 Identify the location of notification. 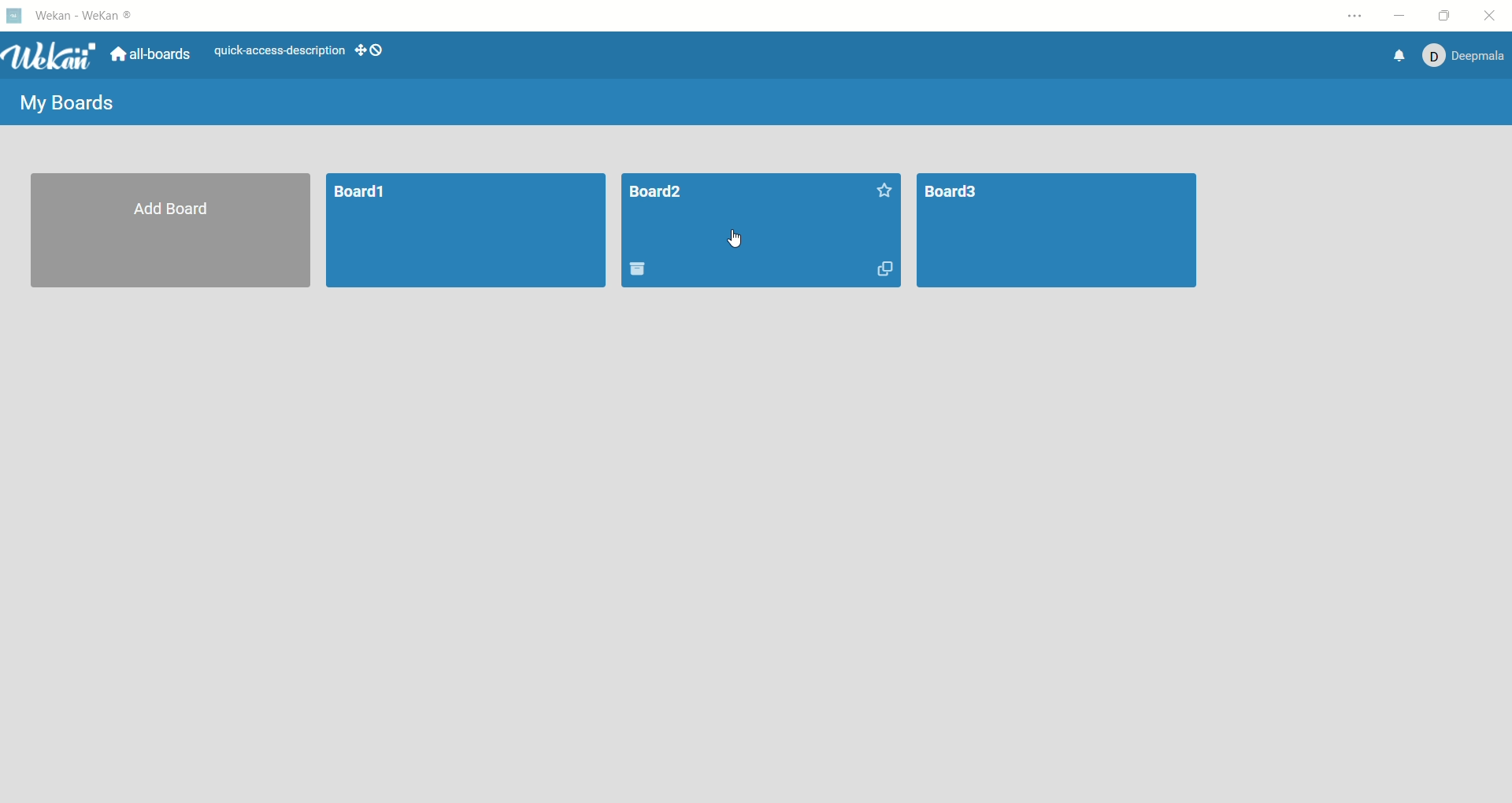
(1398, 57).